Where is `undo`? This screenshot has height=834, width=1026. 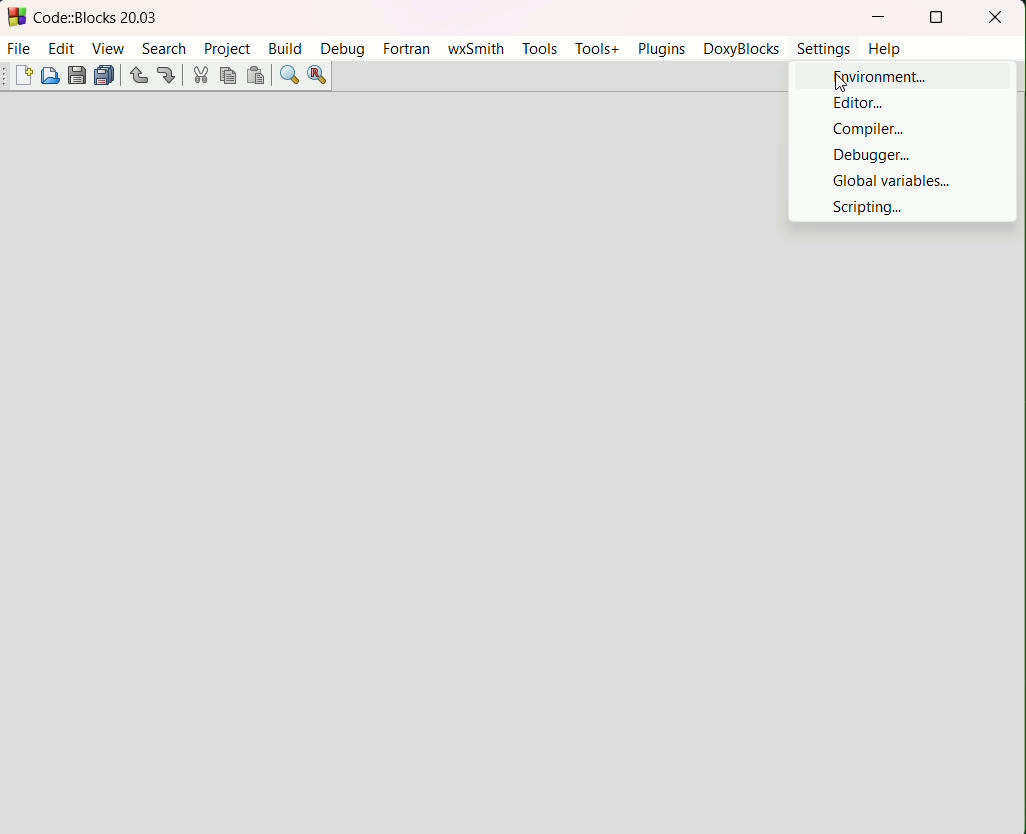
undo is located at coordinates (139, 77).